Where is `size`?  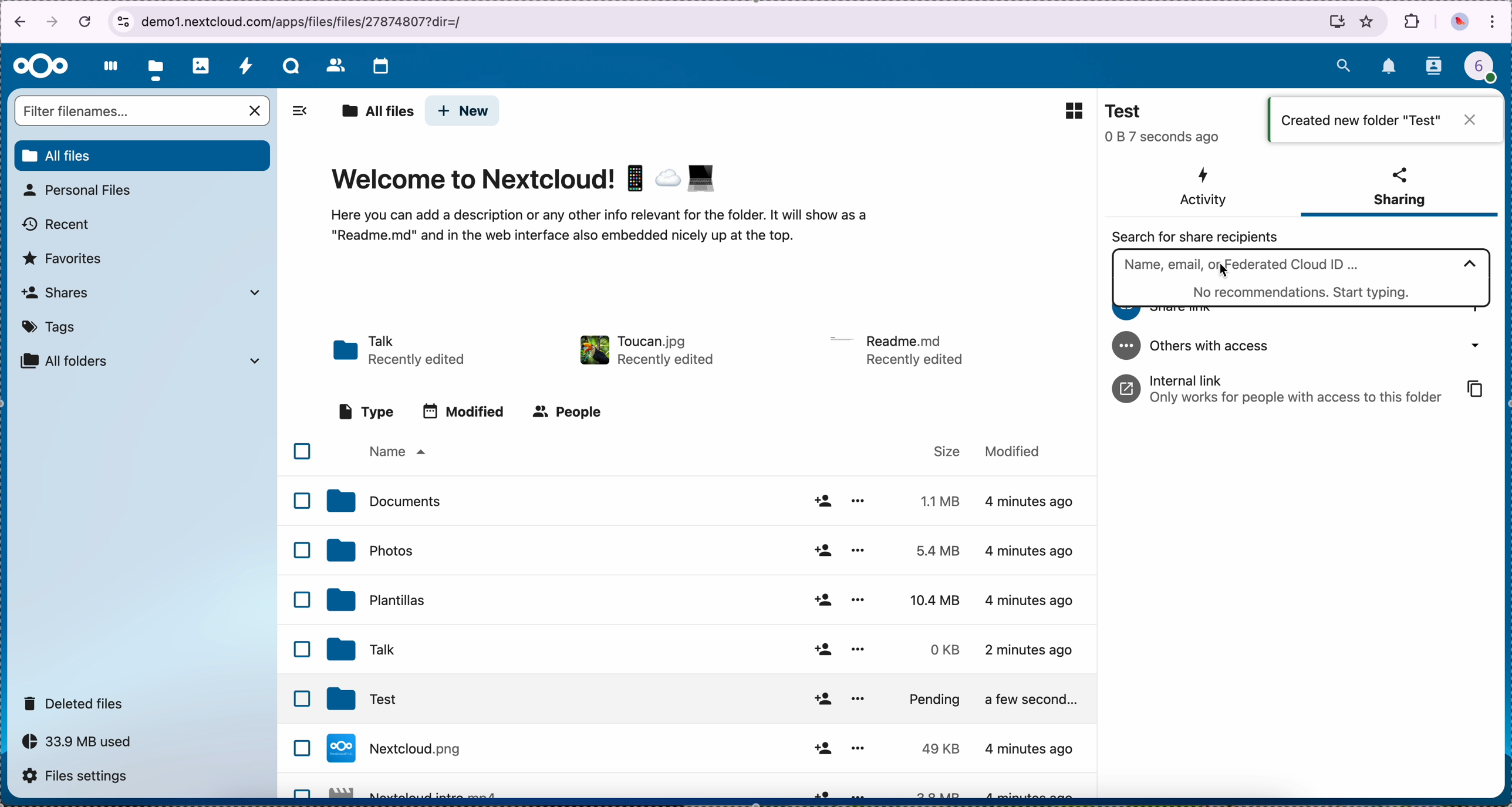 size is located at coordinates (948, 450).